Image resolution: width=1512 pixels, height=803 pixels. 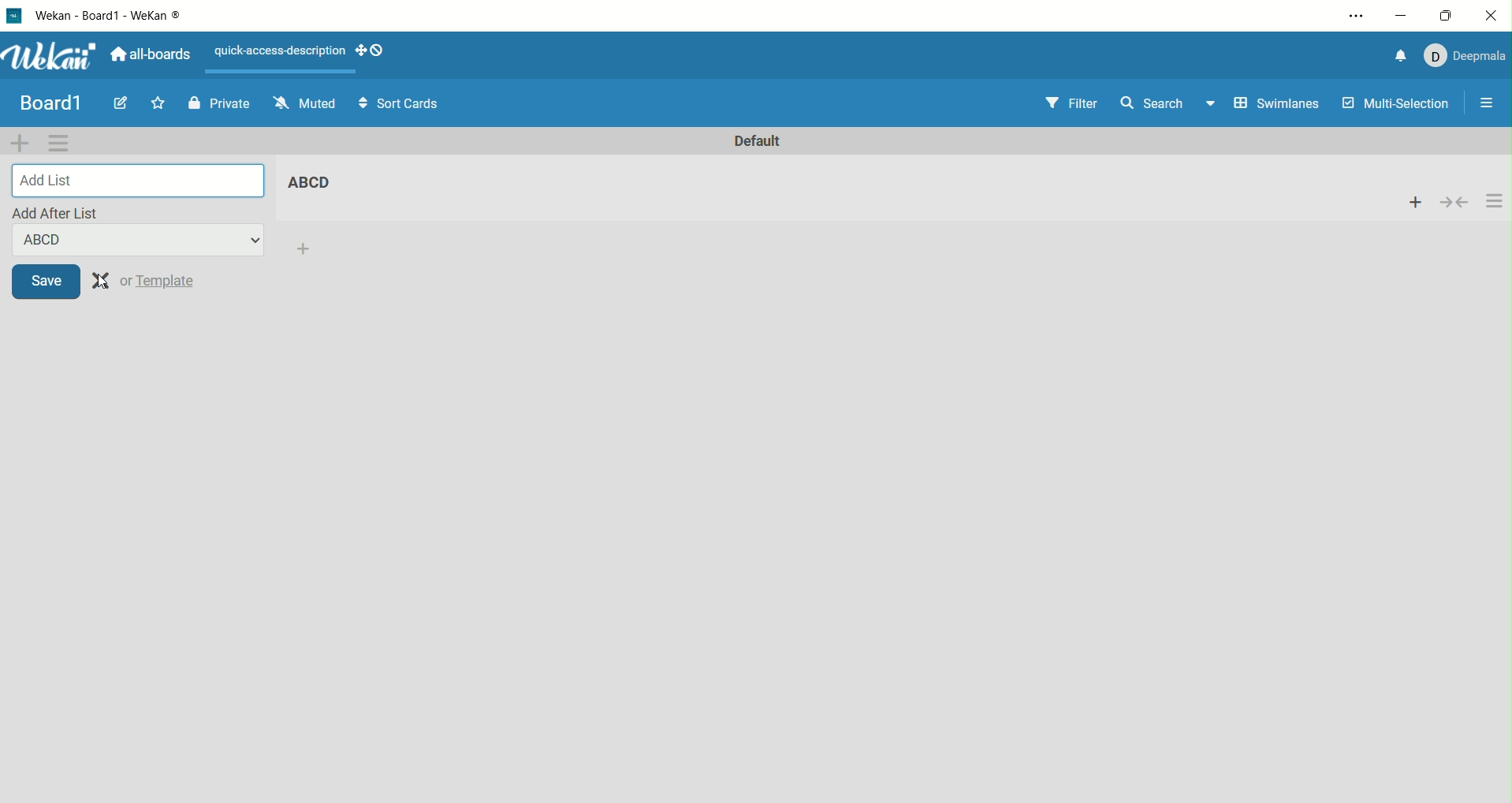 I want to click on collapse, so click(x=1454, y=203).